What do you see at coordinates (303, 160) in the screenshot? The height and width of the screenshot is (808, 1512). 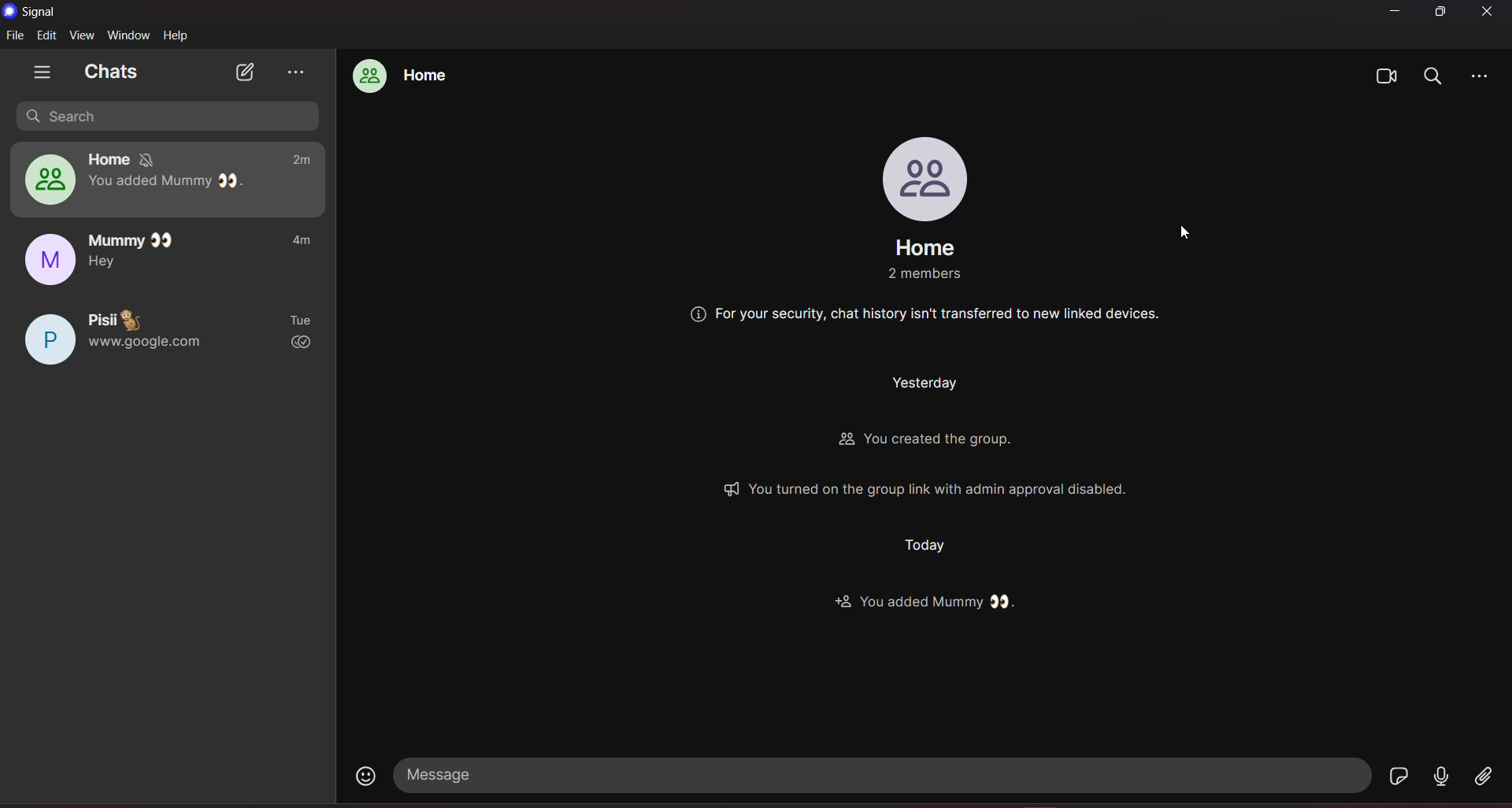 I see `2m` at bounding box center [303, 160].